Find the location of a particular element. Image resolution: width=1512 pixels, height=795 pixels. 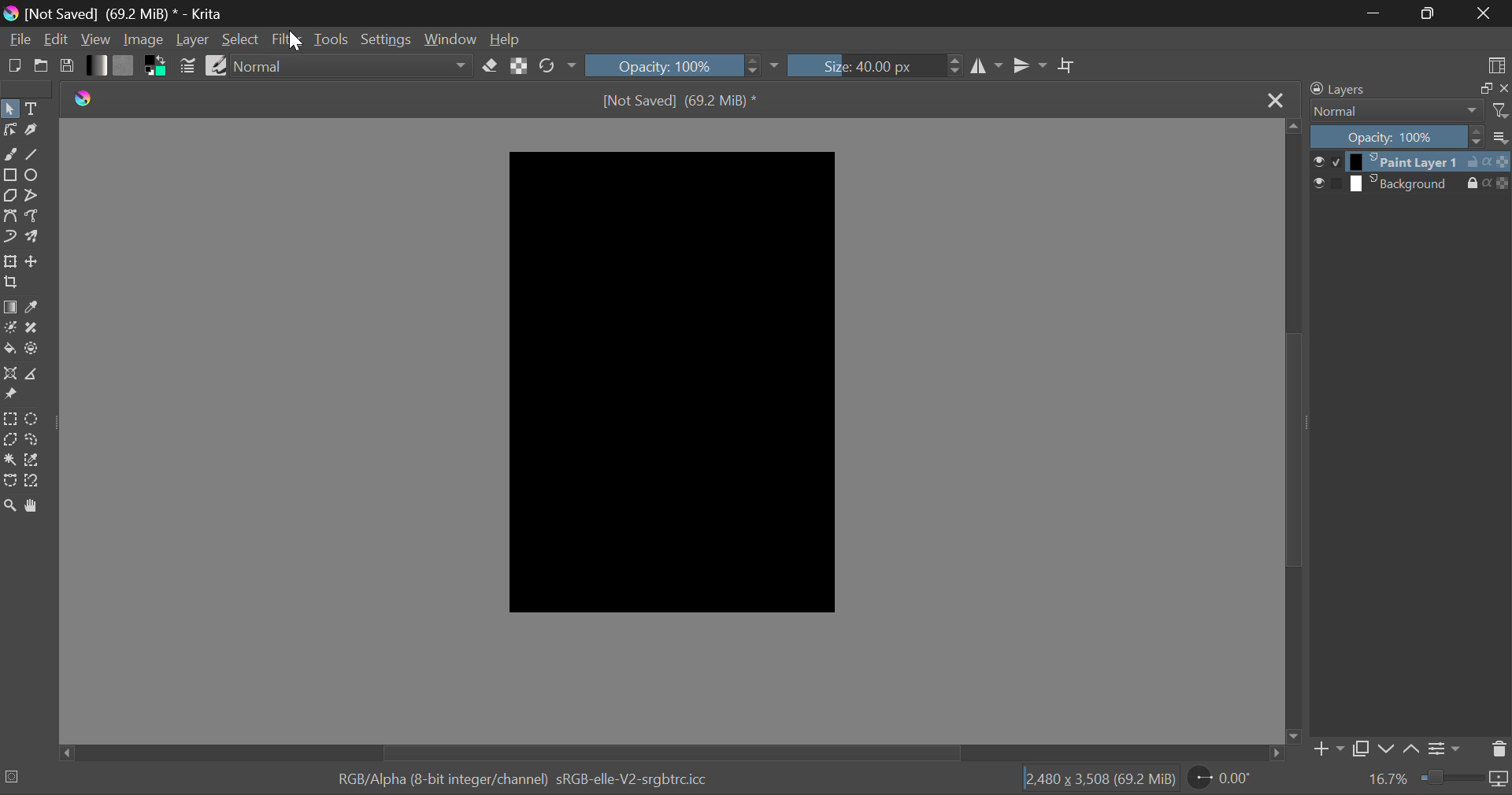

Tools is located at coordinates (332, 38).